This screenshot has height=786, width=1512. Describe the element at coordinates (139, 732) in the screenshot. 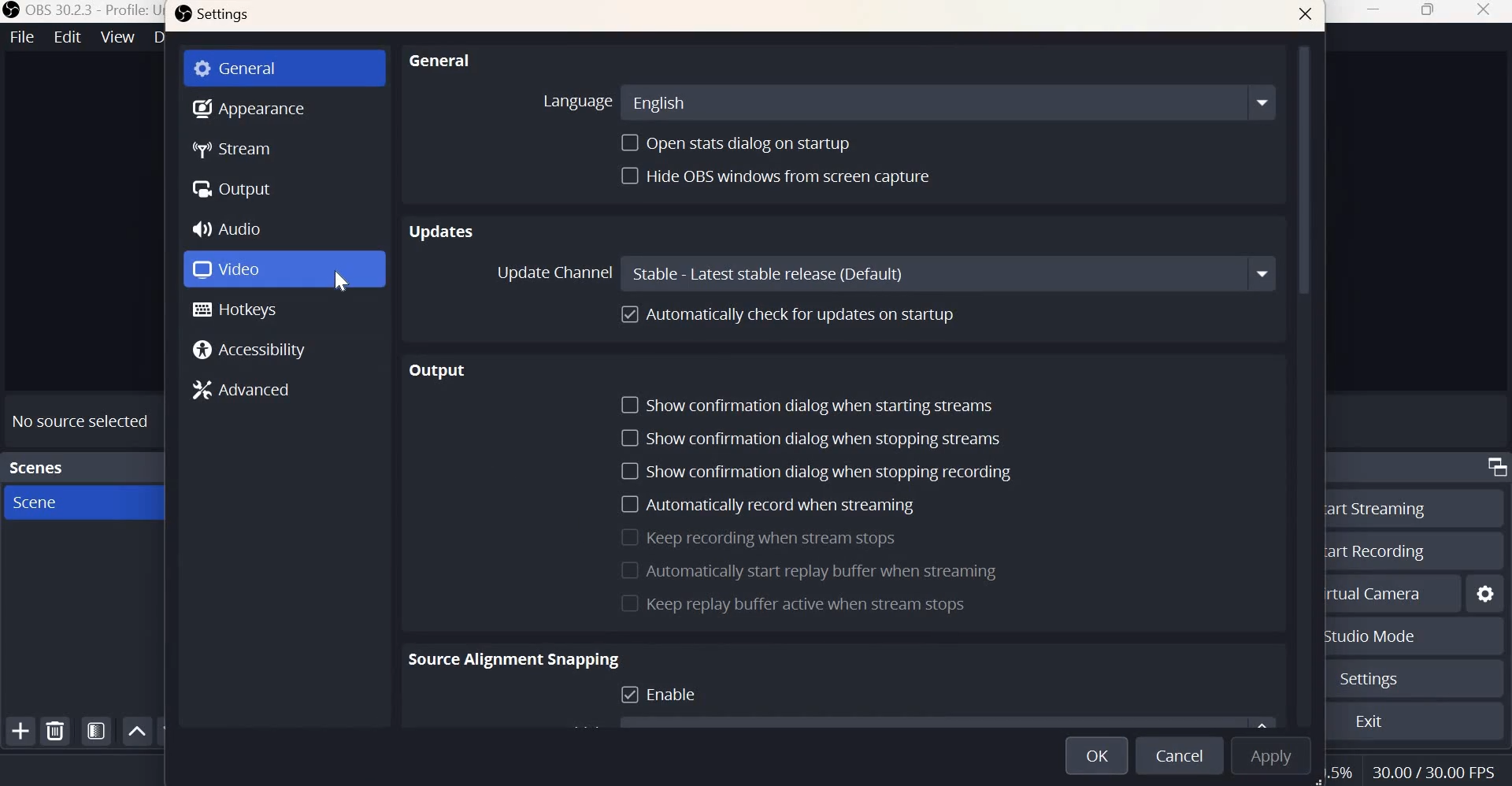

I see `Move scene up` at that location.